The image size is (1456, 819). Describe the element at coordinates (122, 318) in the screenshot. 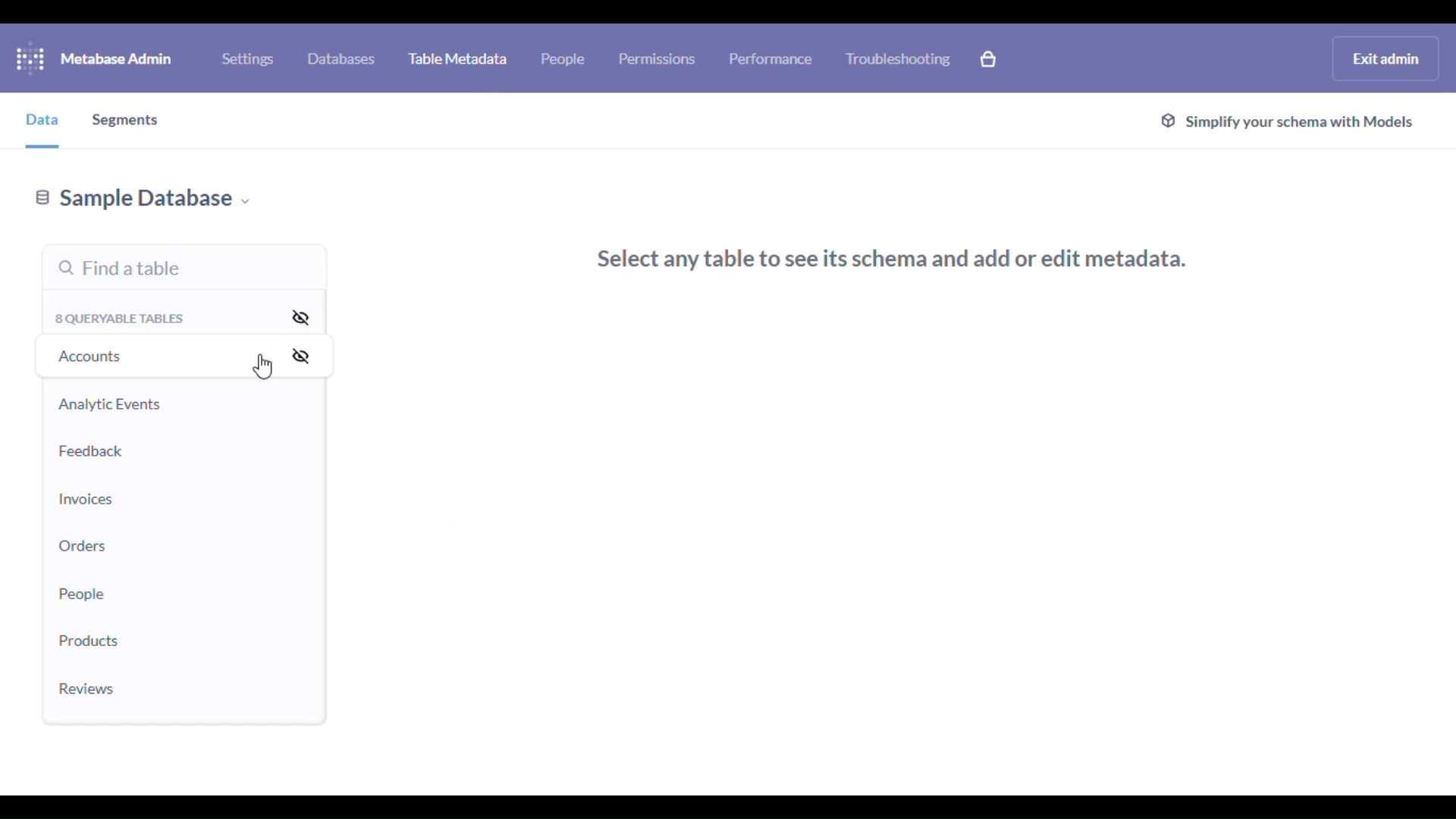

I see `8 queryable tables` at that location.